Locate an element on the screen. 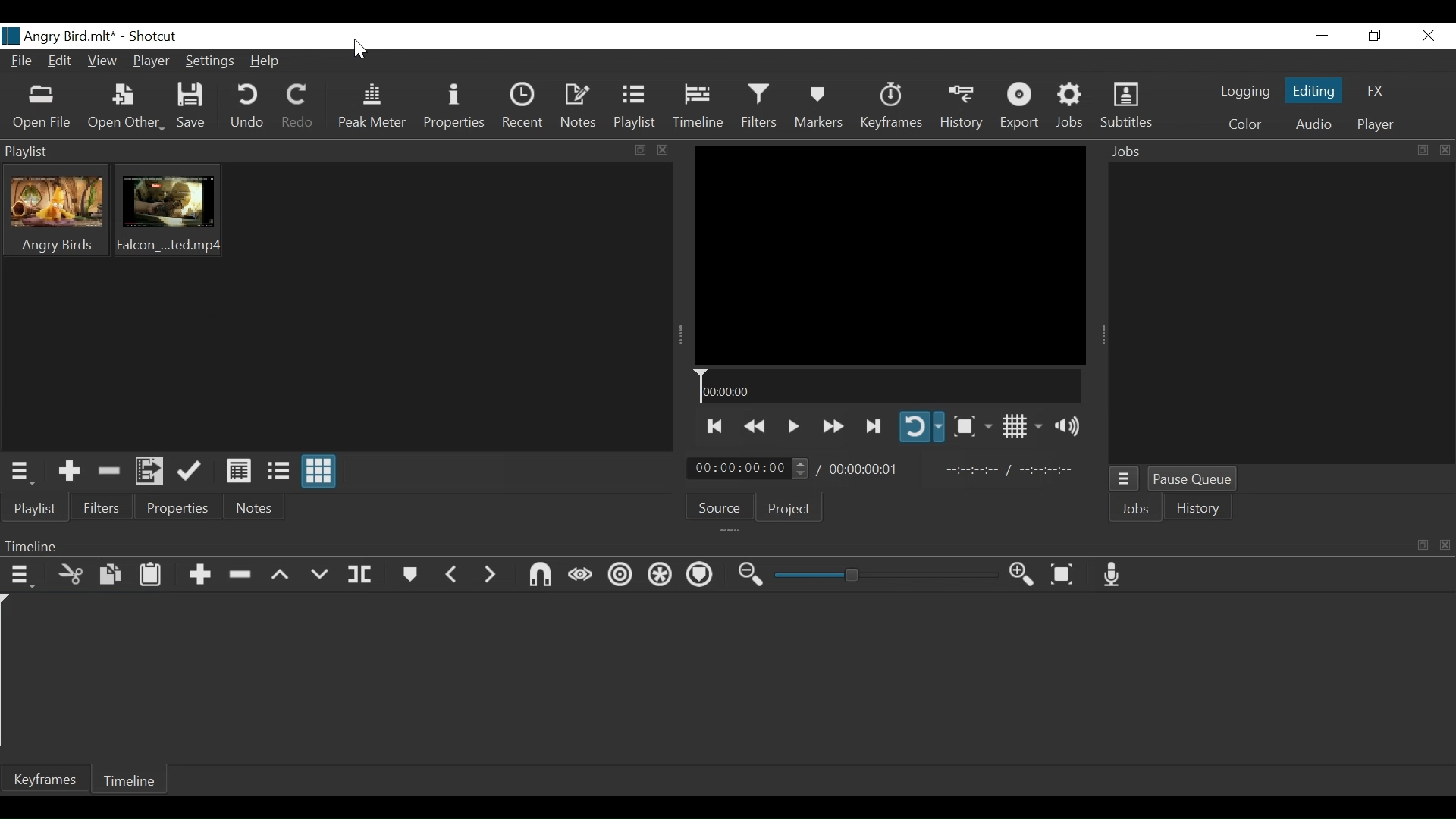 This screenshot has width=1456, height=819.  is located at coordinates (818, 108).